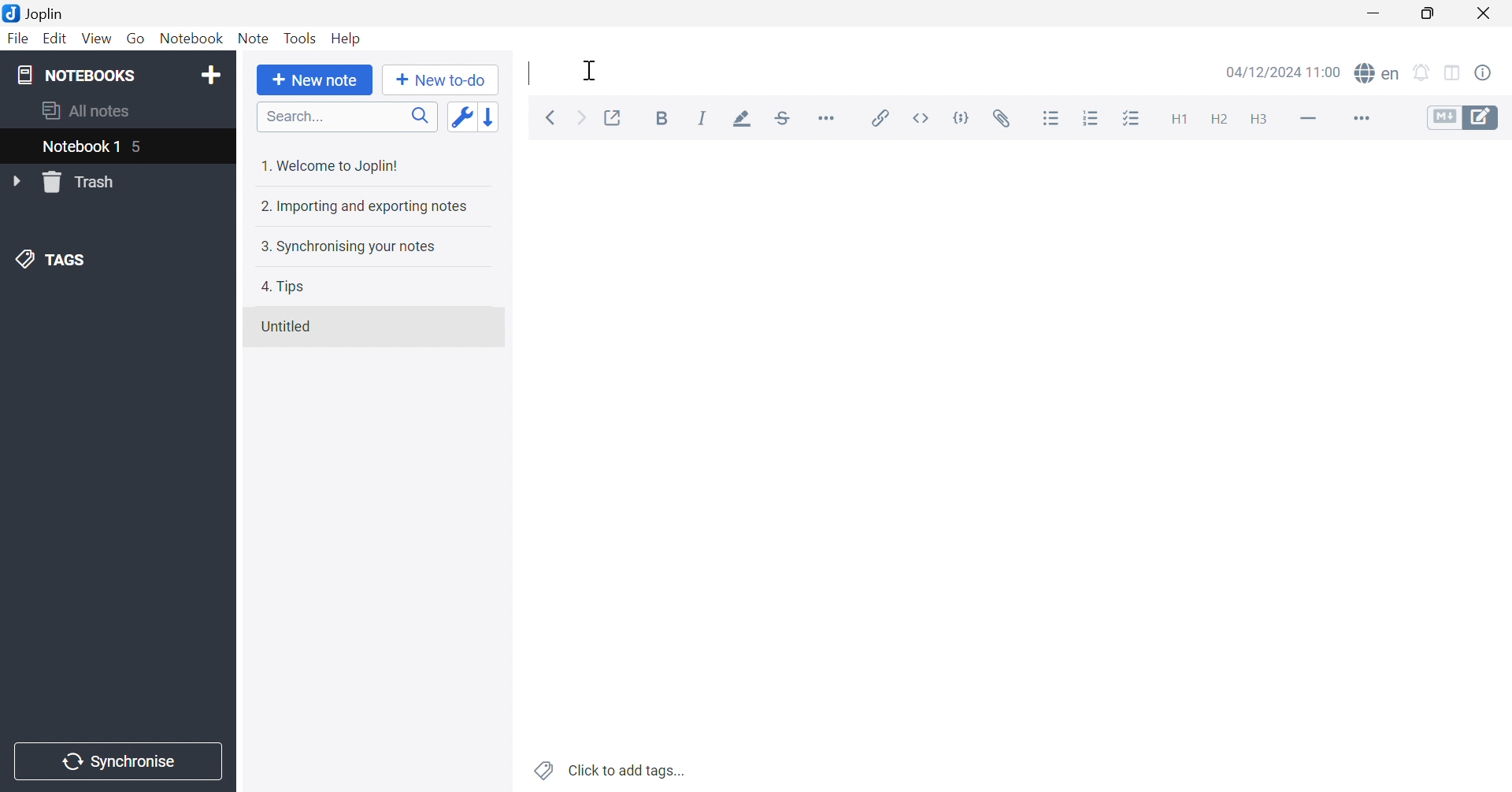 The height and width of the screenshot is (792, 1512). Describe the element at coordinates (138, 38) in the screenshot. I see `Go` at that location.